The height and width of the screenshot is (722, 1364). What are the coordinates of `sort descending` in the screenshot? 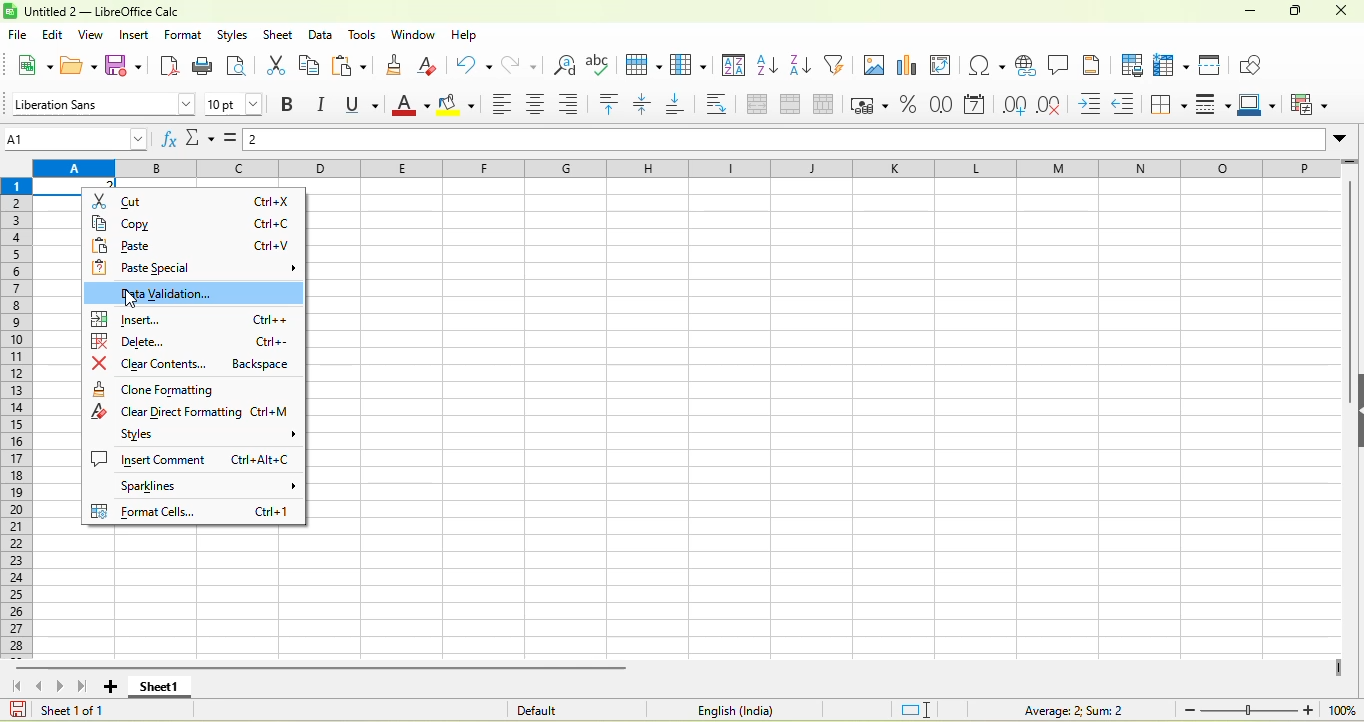 It's located at (805, 67).